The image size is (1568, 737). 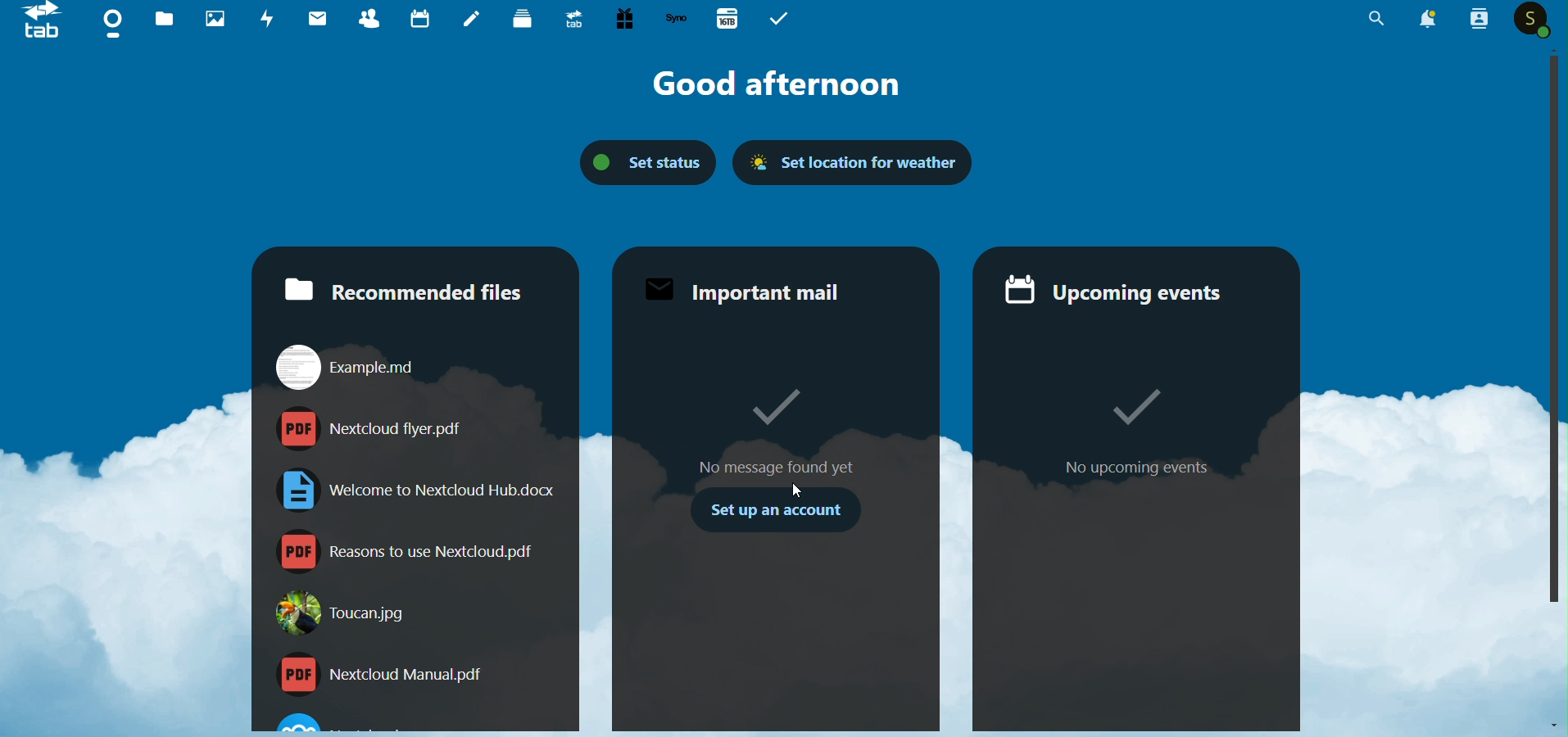 What do you see at coordinates (400, 287) in the screenshot?
I see `Recommended files` at bounding box center [400, 287].